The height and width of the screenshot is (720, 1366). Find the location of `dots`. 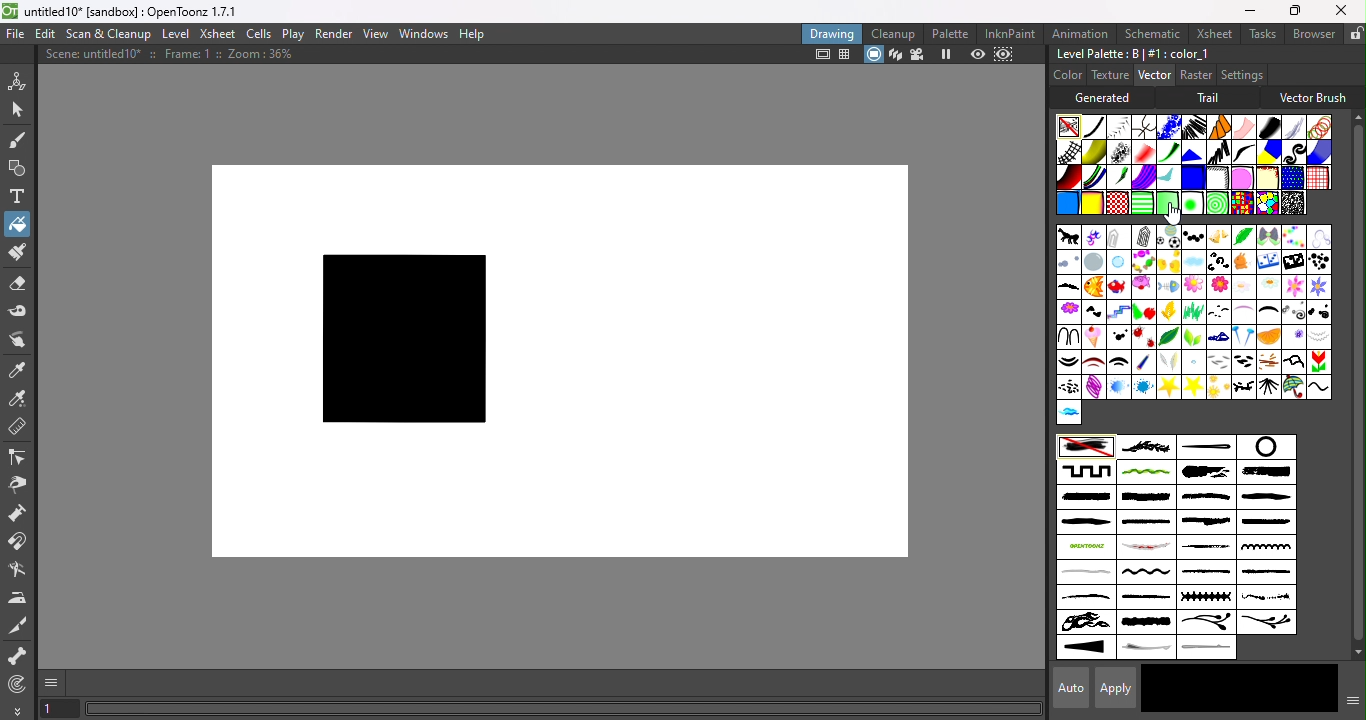

dots is located at coordinates (1119, 337).